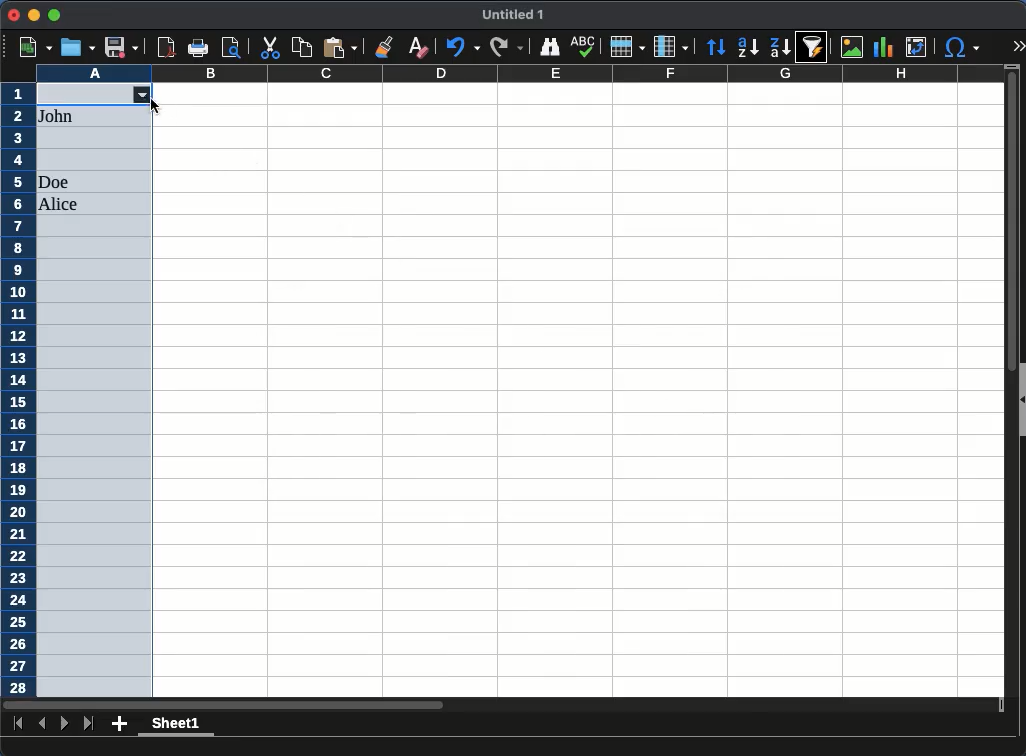 The width and height of the screenshot is (1026, 756). I want to click on maximize, so click(53, 15).